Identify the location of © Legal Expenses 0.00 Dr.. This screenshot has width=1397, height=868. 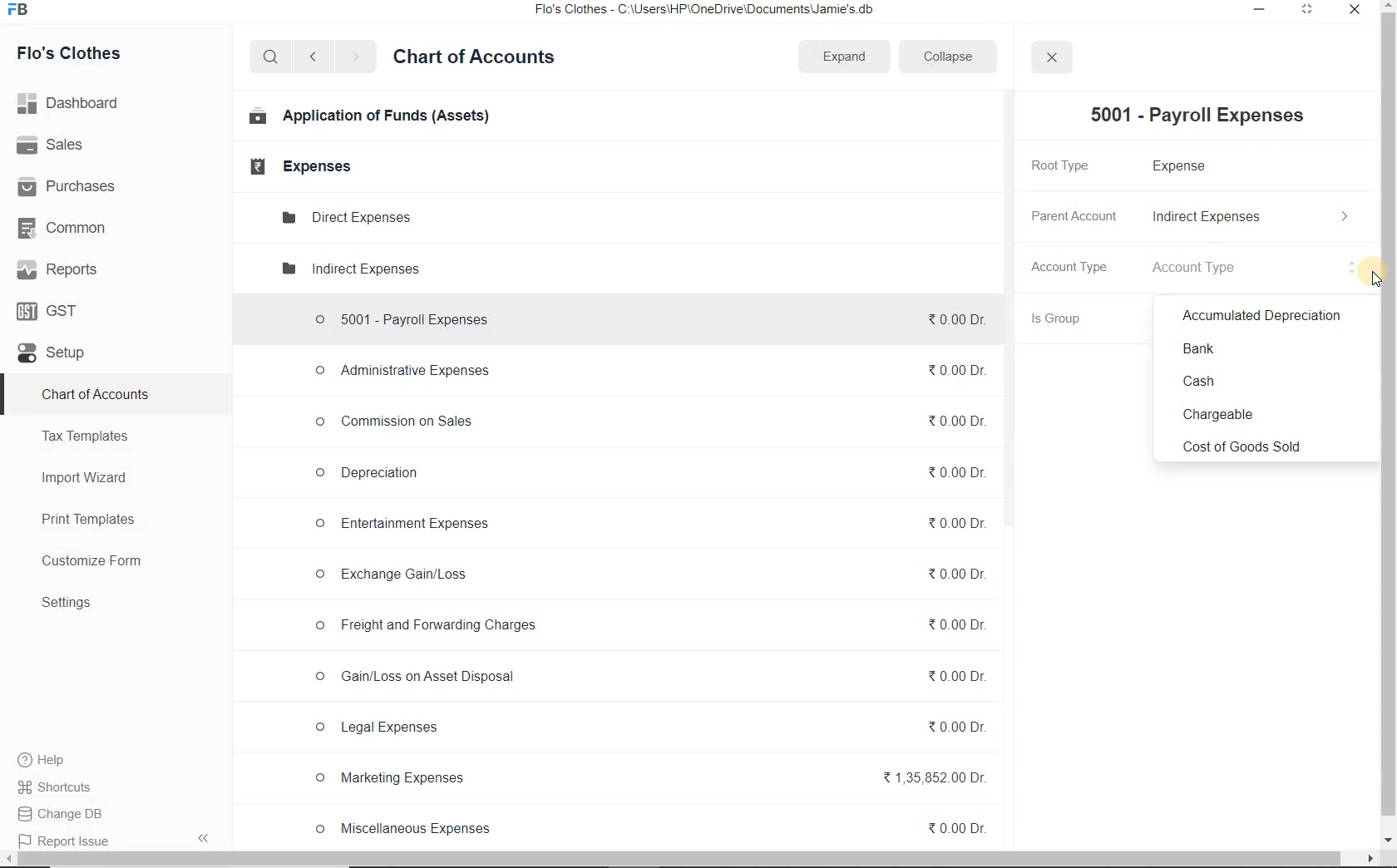
(645, 726).